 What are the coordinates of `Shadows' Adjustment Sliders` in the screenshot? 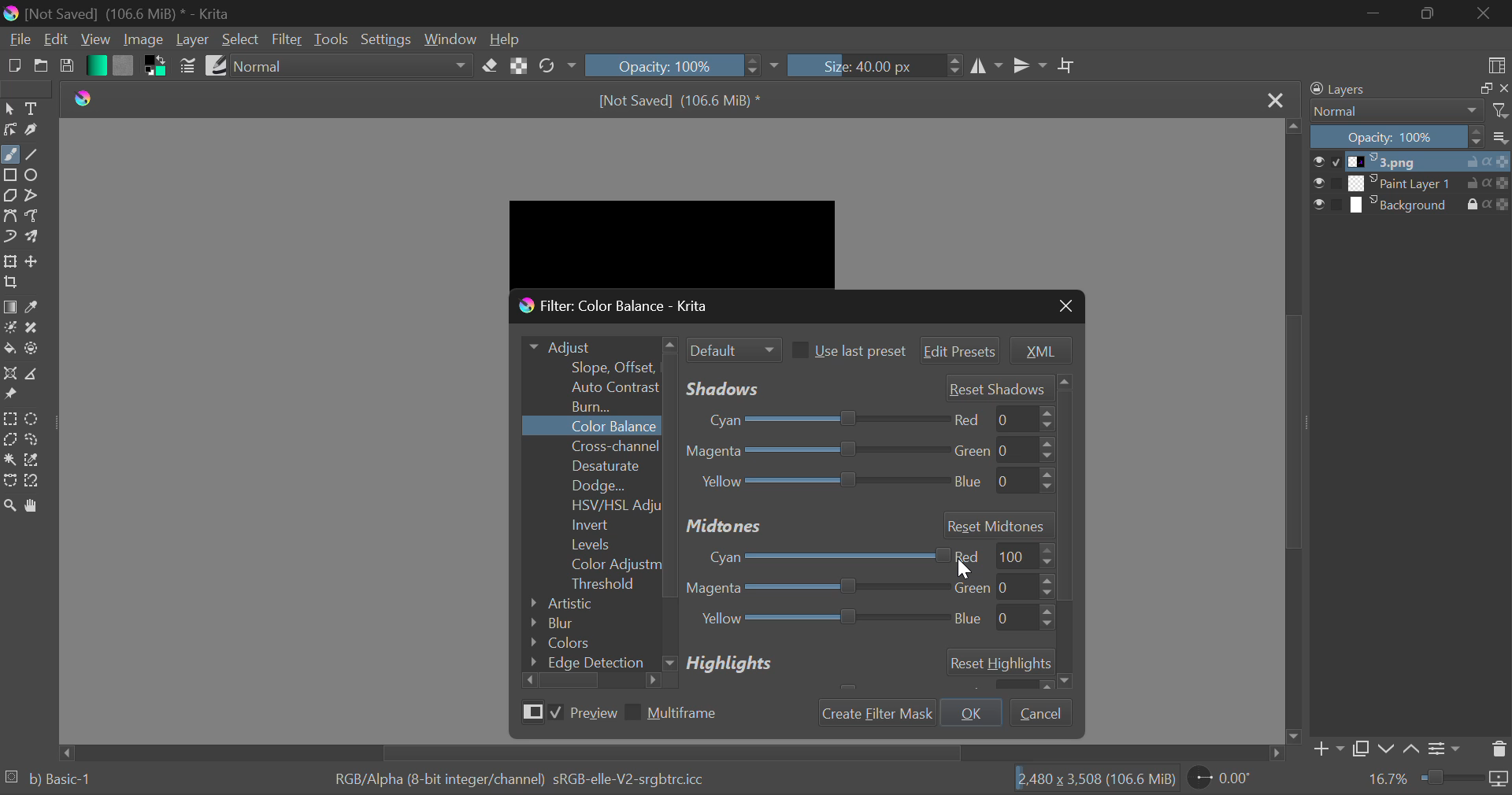 It's located at (863, 388).